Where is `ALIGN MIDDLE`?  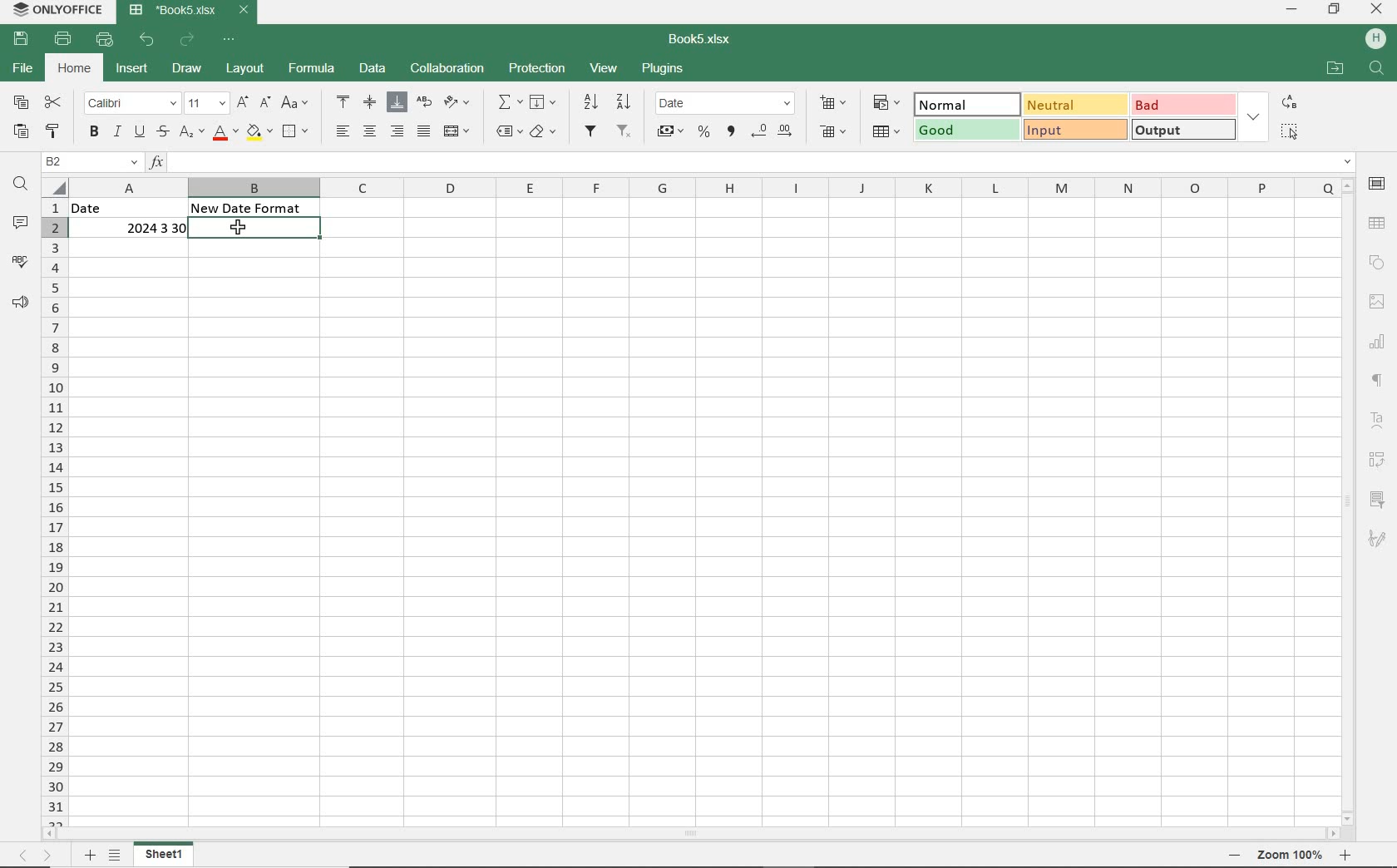 ALIGN MIDDLE is located at coordinates (370, 103).